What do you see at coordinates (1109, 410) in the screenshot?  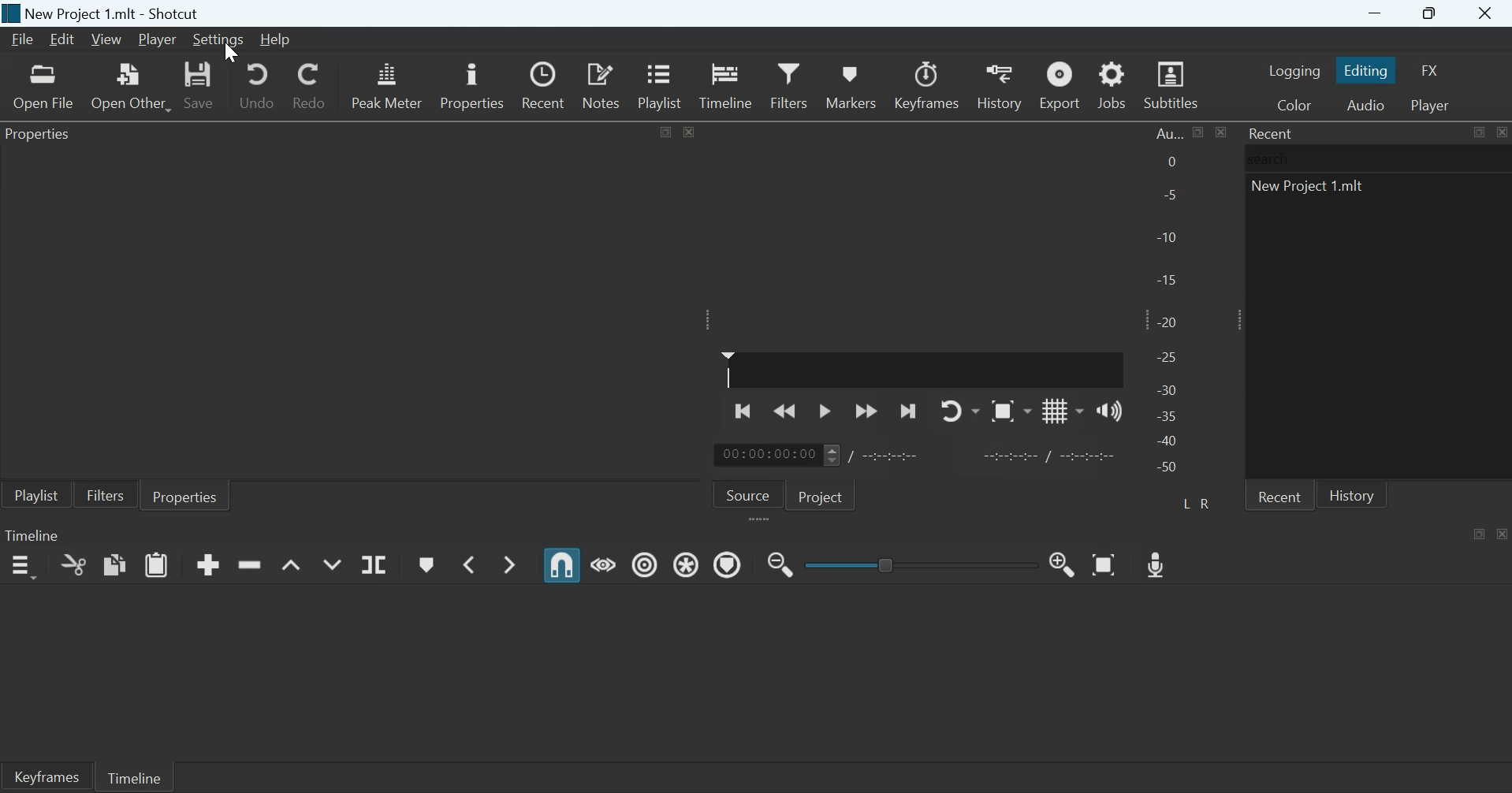 I see `Show the volume control` at bounding box center [1109, 410].